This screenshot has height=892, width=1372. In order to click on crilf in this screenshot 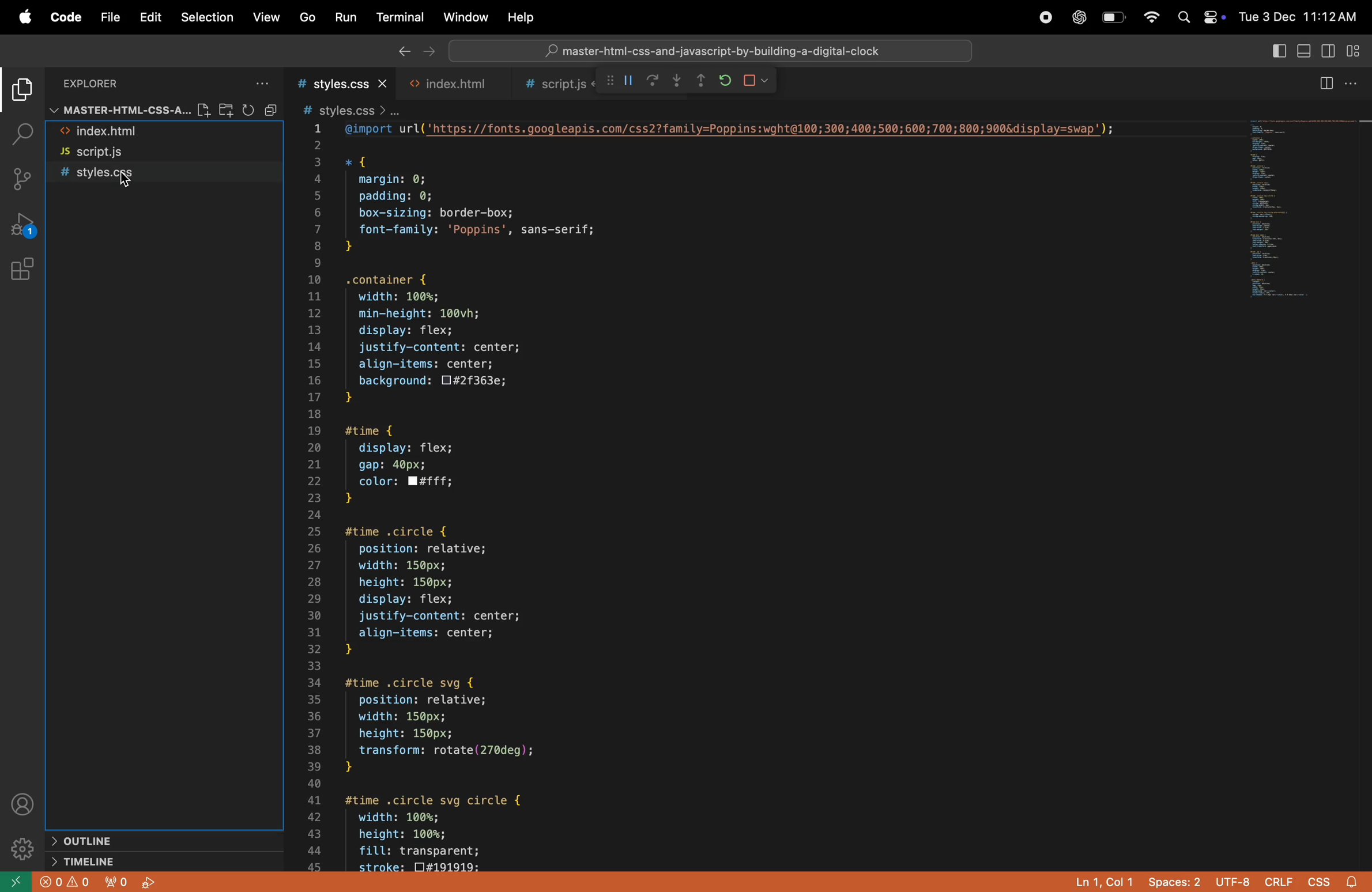, I will do `click(1278, 882)`.